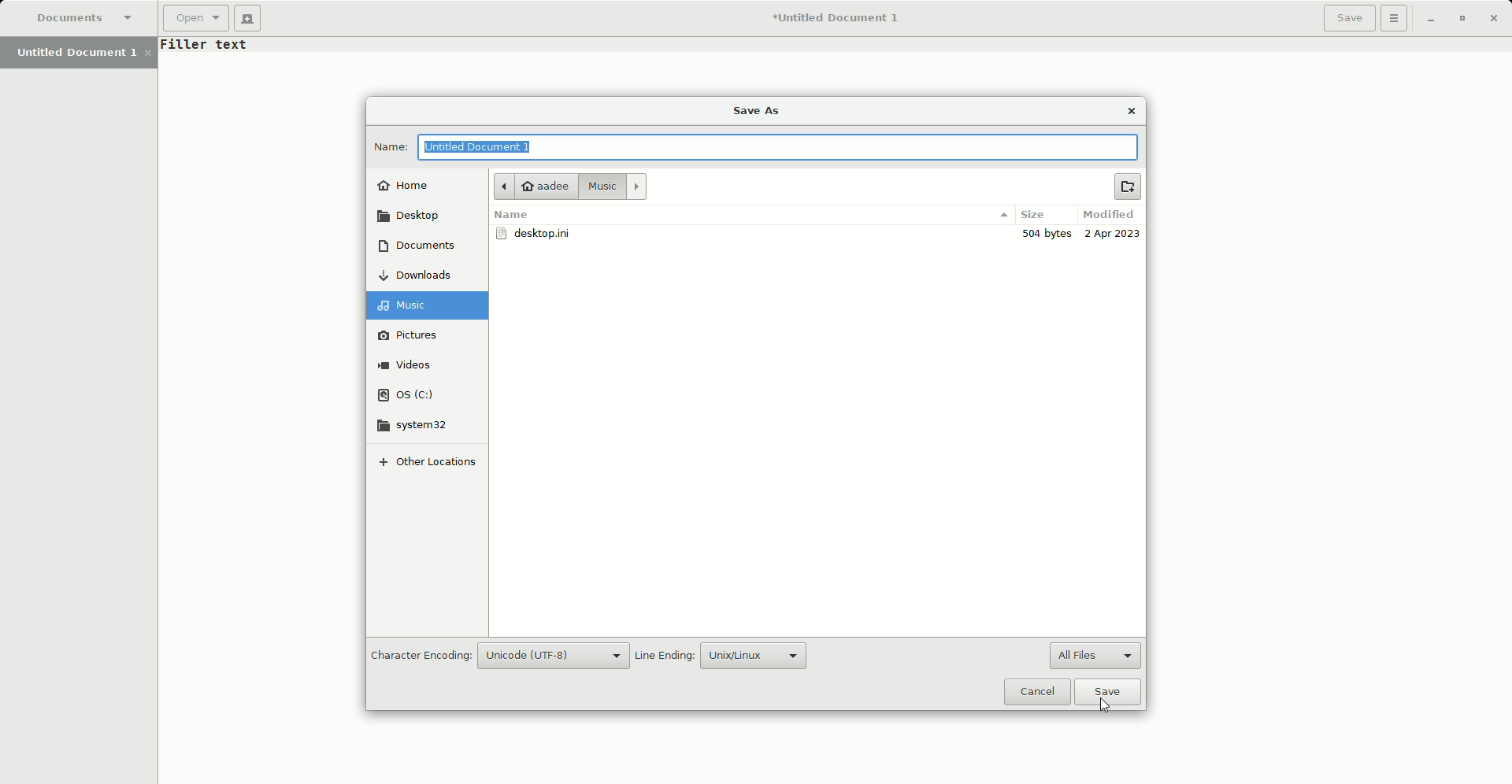  Describe the element at coordinates (758, 112) in the screenshot. I see `Save As` at that location.